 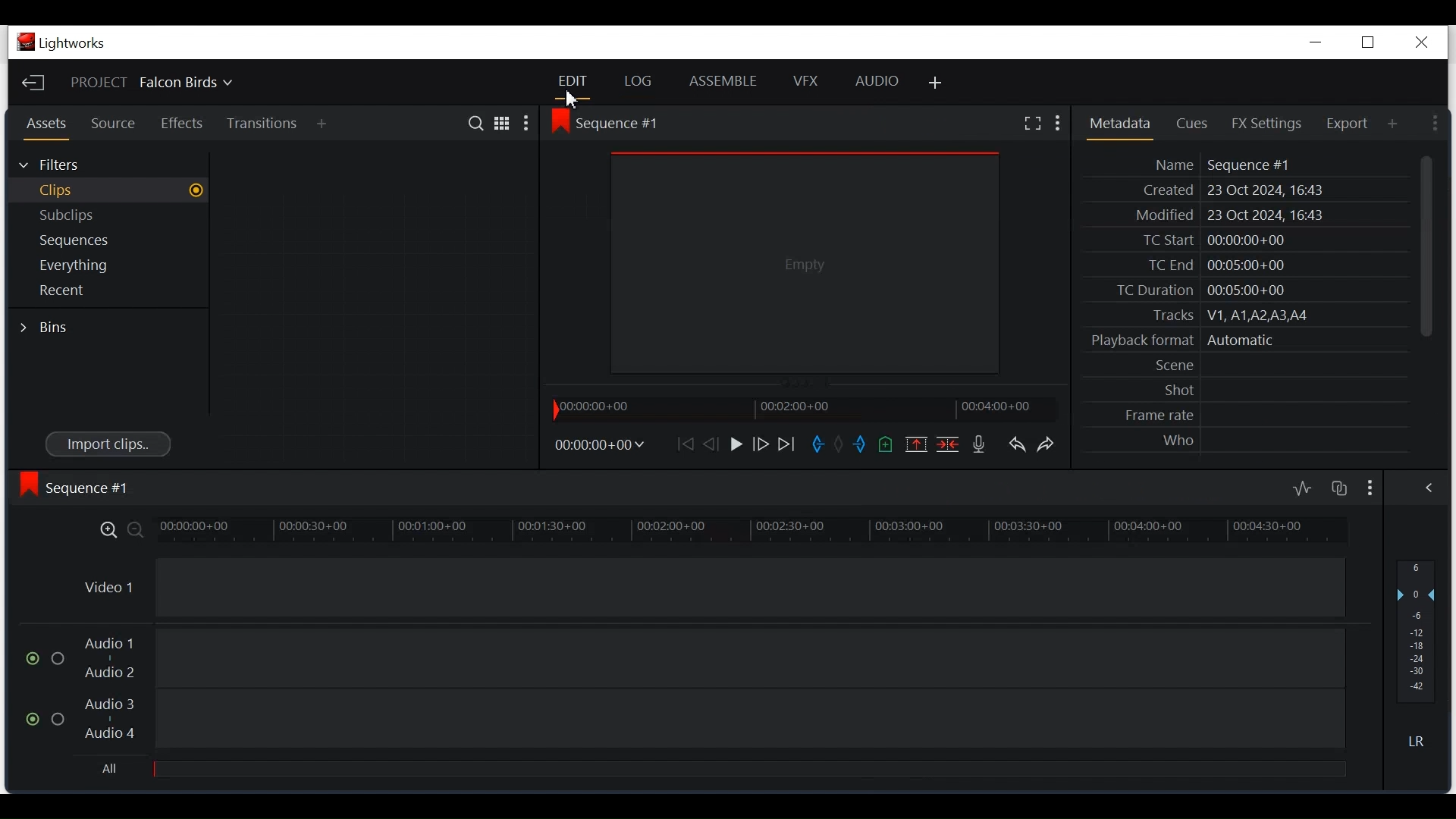 What do you see at coordinates (1172, 444) in the screenshot?
I see `SS A
A Ex 0 NP Who` at bounding box center [1172, 444].